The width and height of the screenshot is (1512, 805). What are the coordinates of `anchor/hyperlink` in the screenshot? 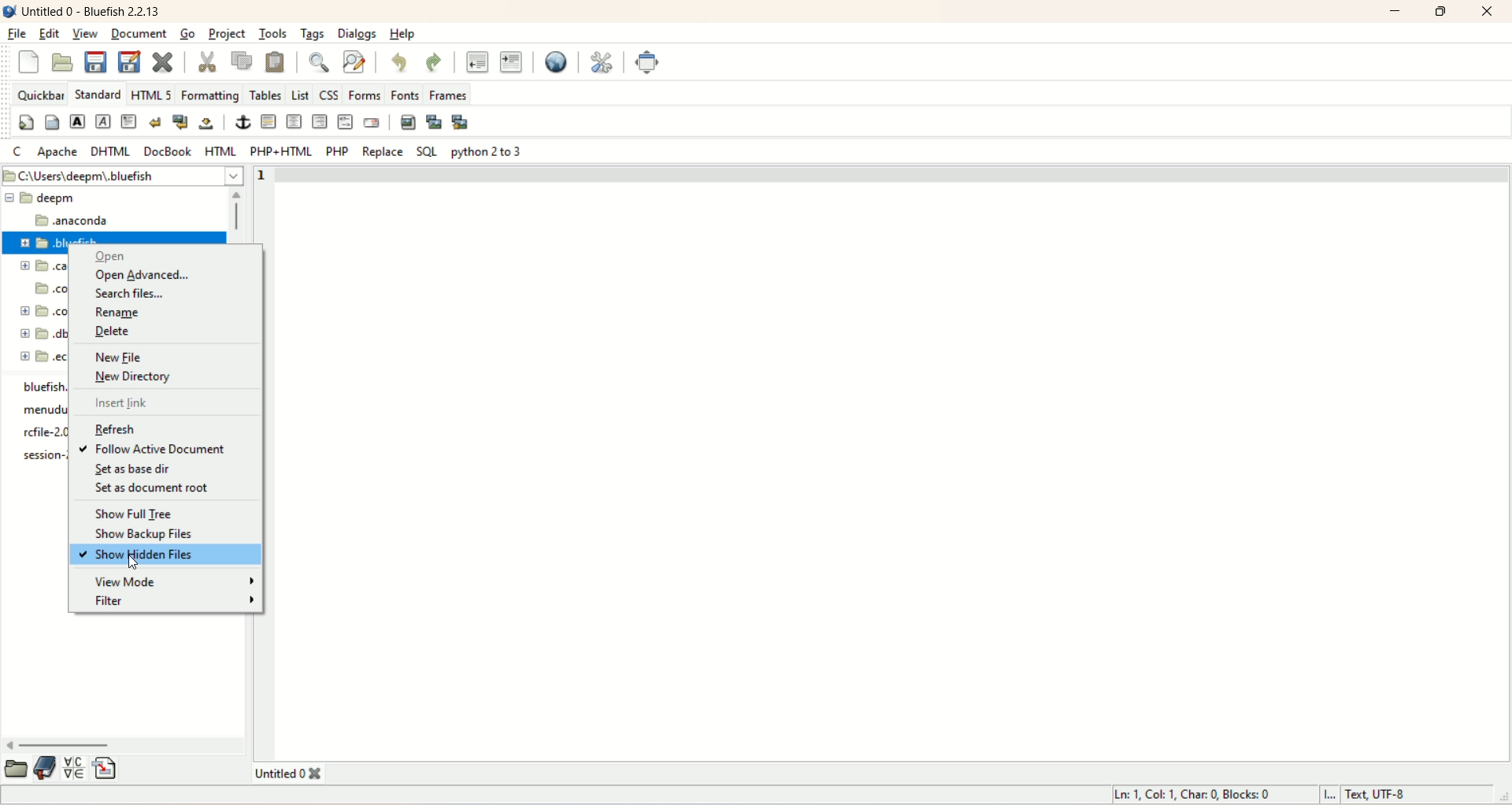 It's located at (239, 123).